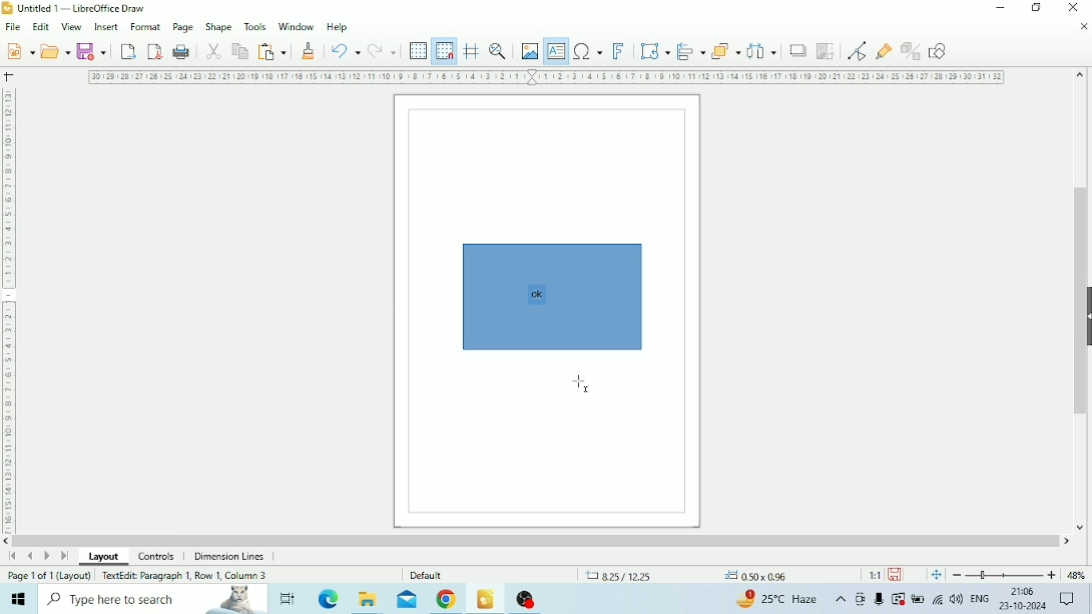  I want to click on Tools, so click(255, 26).